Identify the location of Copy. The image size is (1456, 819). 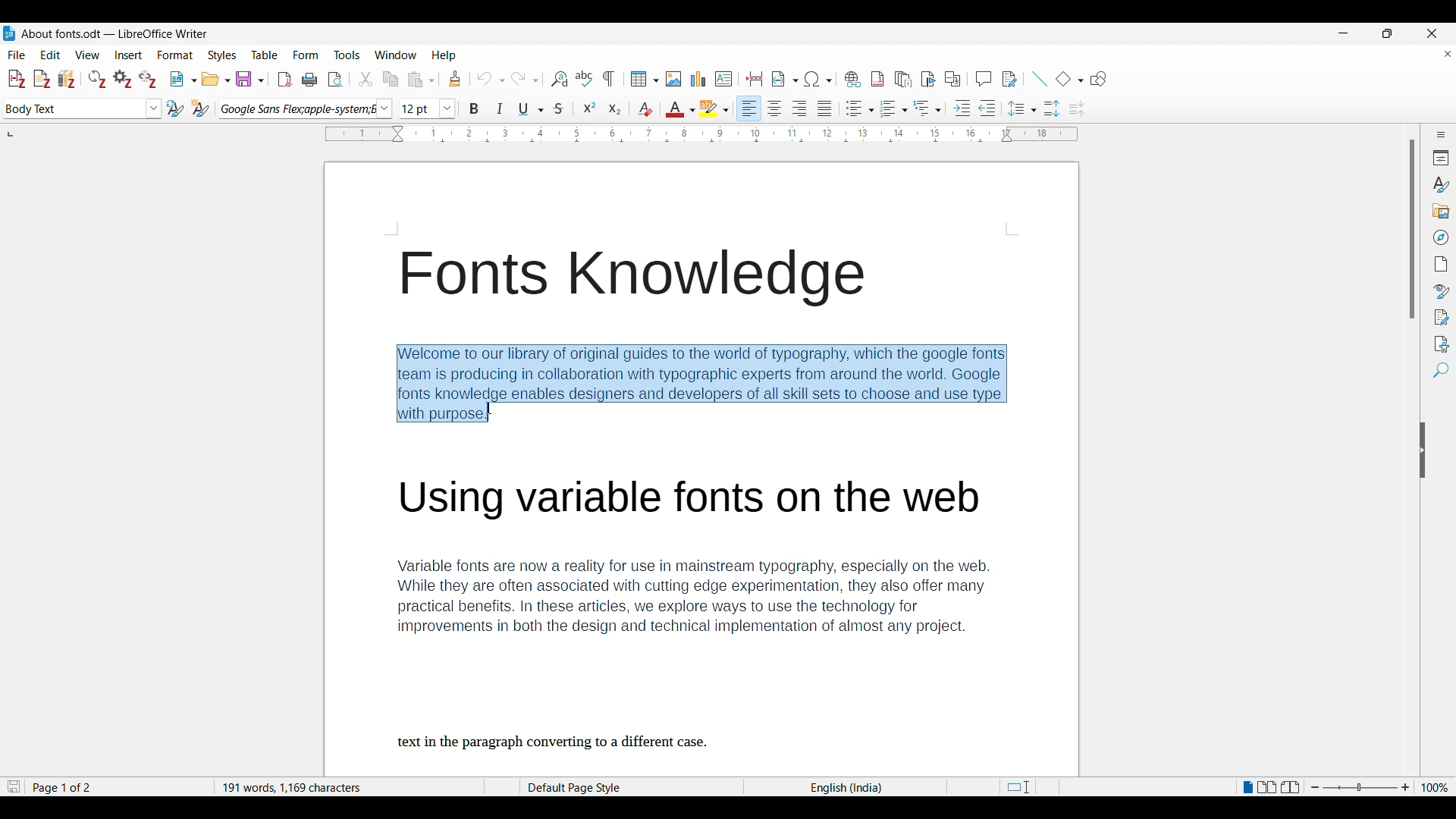
(391, 80).